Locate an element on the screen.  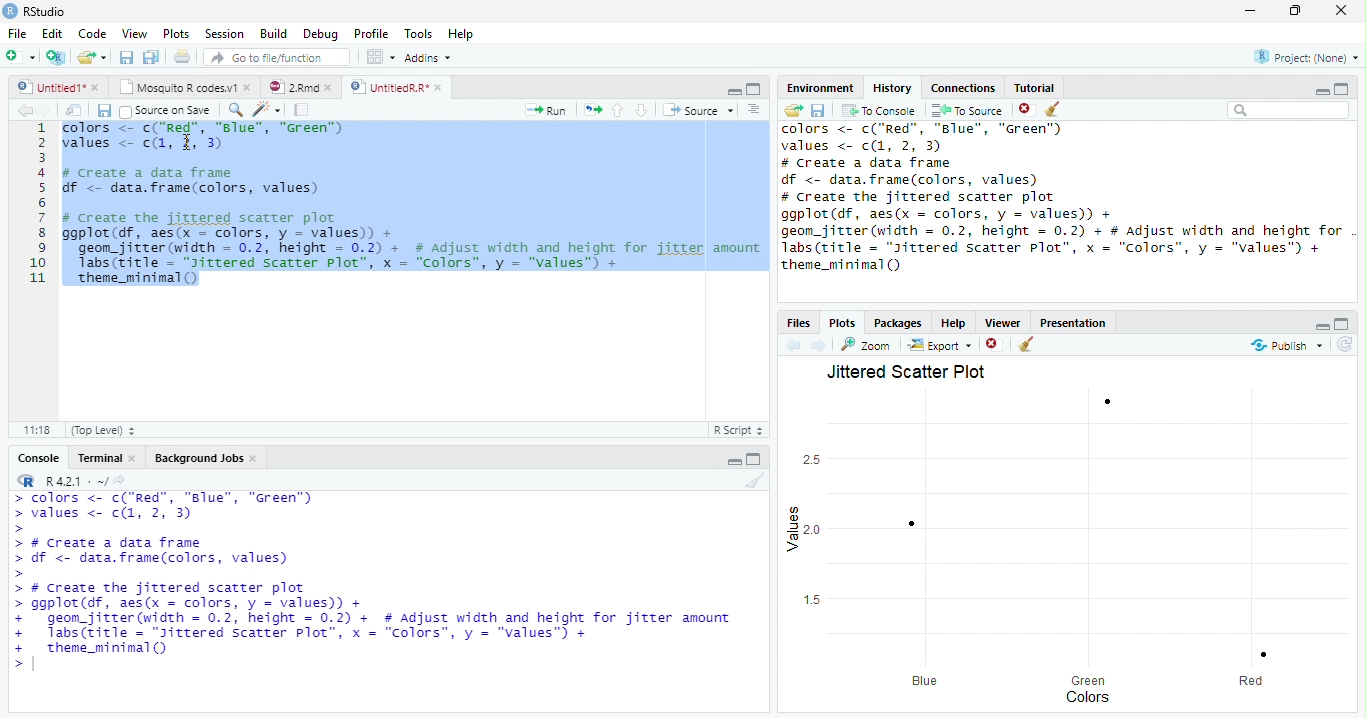
Project: (None) is located at coordinates (1306, 57).